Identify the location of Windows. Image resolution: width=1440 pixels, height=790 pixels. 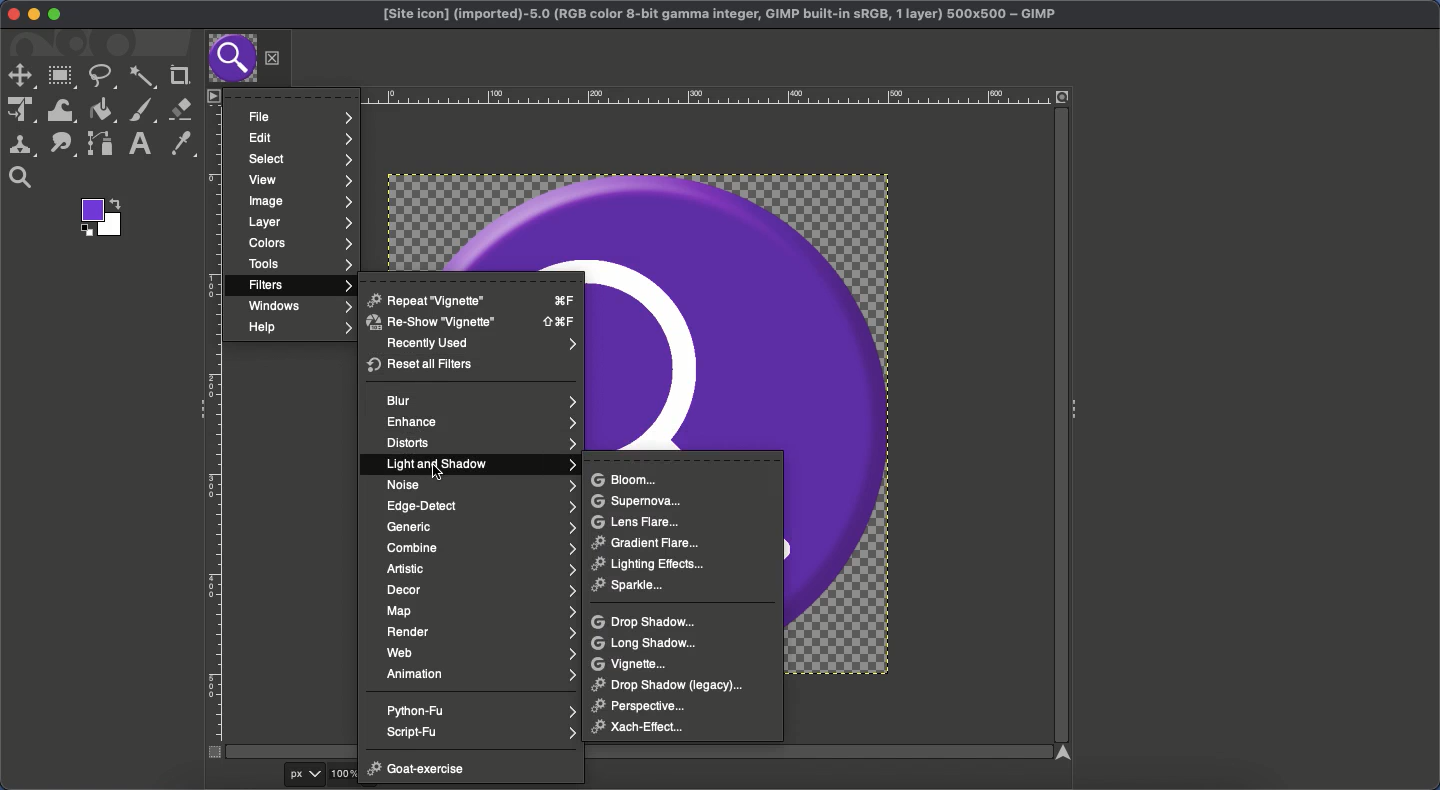
(297, 307).